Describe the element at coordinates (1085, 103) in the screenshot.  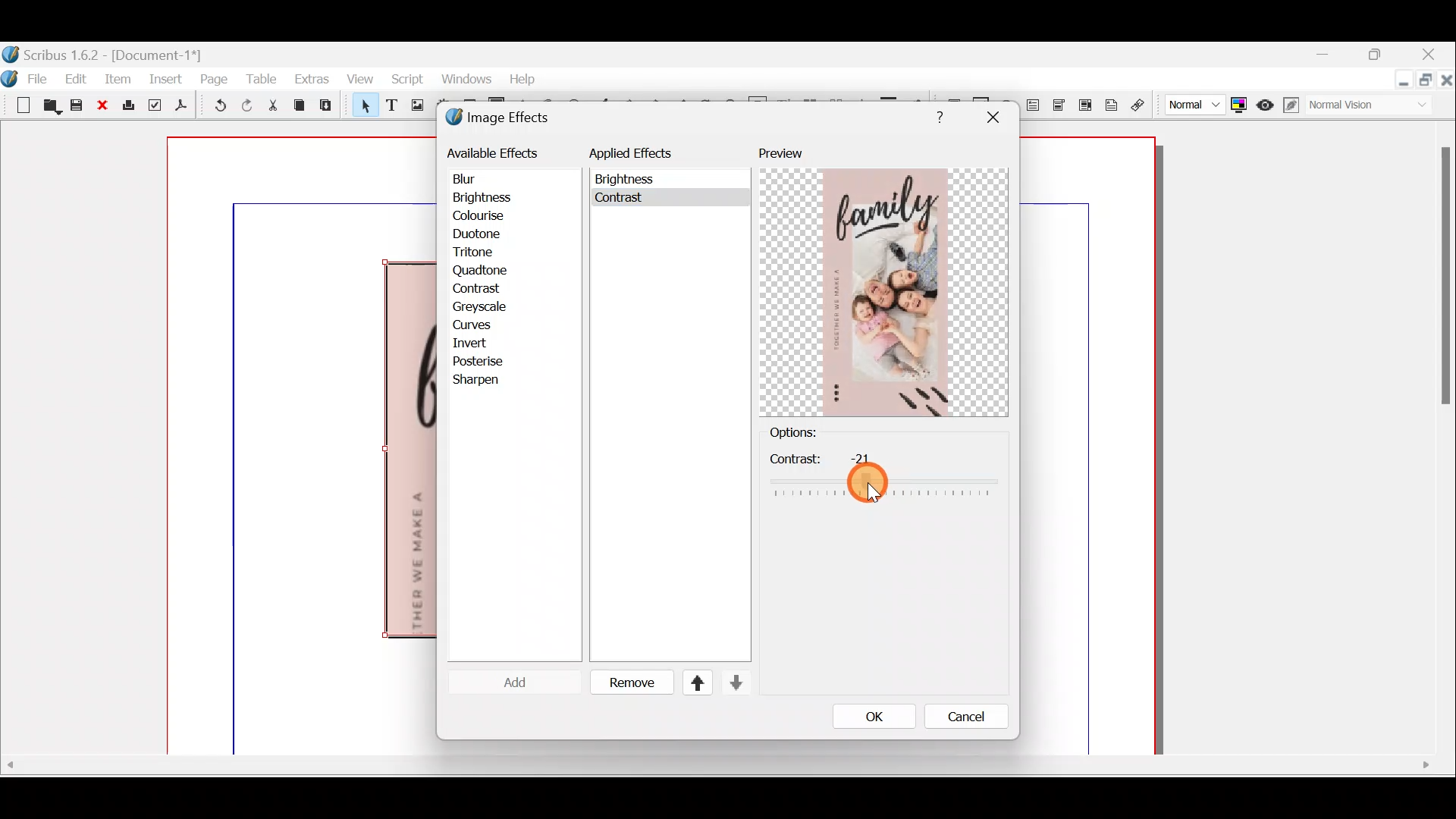
I see `PDF List box` at that location.